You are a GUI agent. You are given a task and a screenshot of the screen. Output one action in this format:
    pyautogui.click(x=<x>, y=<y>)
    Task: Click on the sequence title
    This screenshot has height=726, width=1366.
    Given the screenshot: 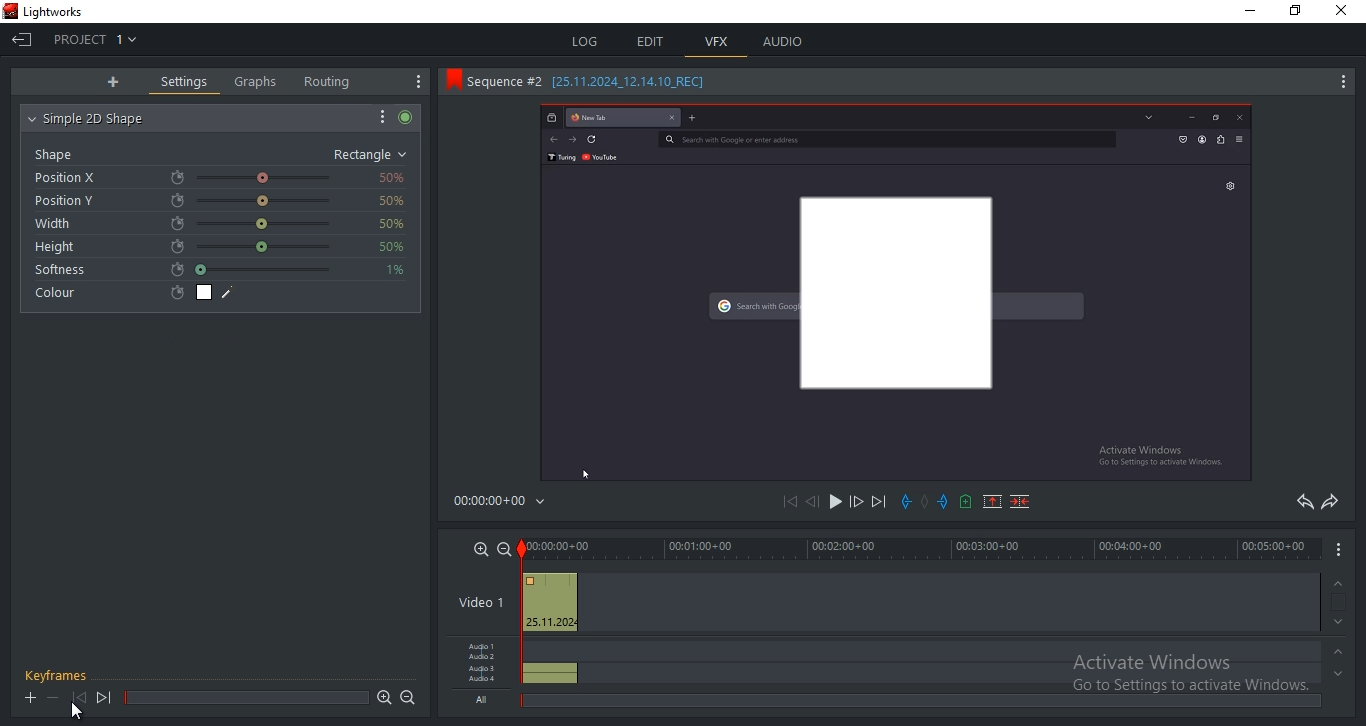 What is the action you would take?
    pyautogui.click(x=582, y=79)
    